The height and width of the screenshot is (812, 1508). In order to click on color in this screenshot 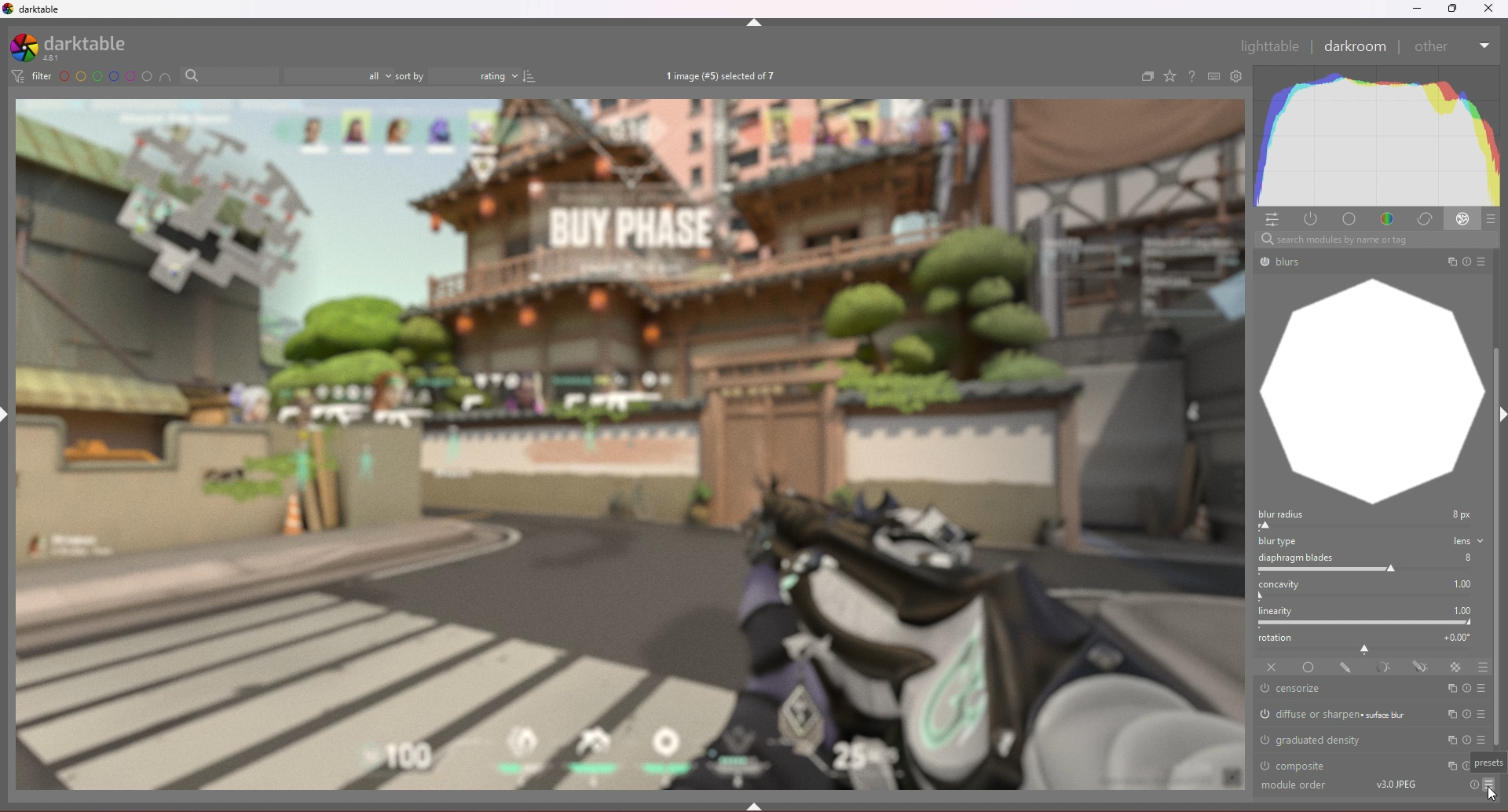, I will do `click(1389, 219)`.